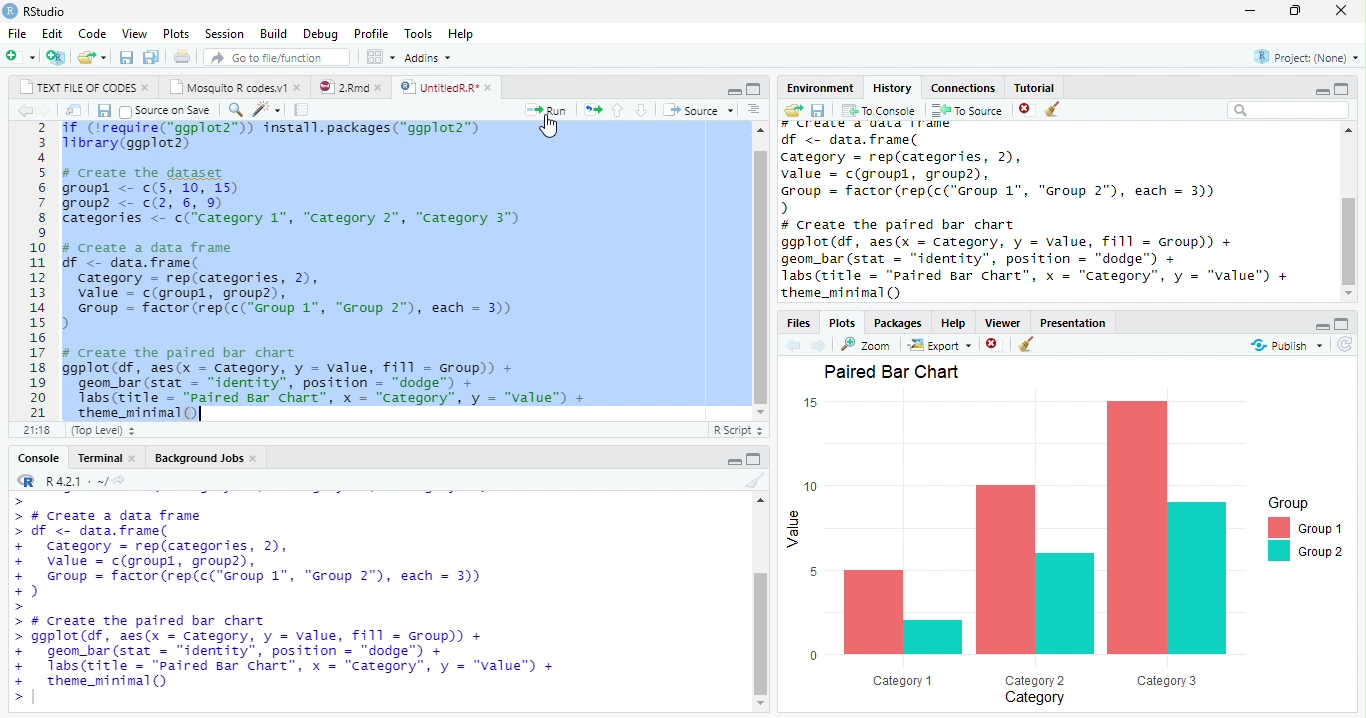 This screenshot has width=1366, height=718. Describe the element at coordinates (891, 87) in the screenshot. I see `history` at that location.